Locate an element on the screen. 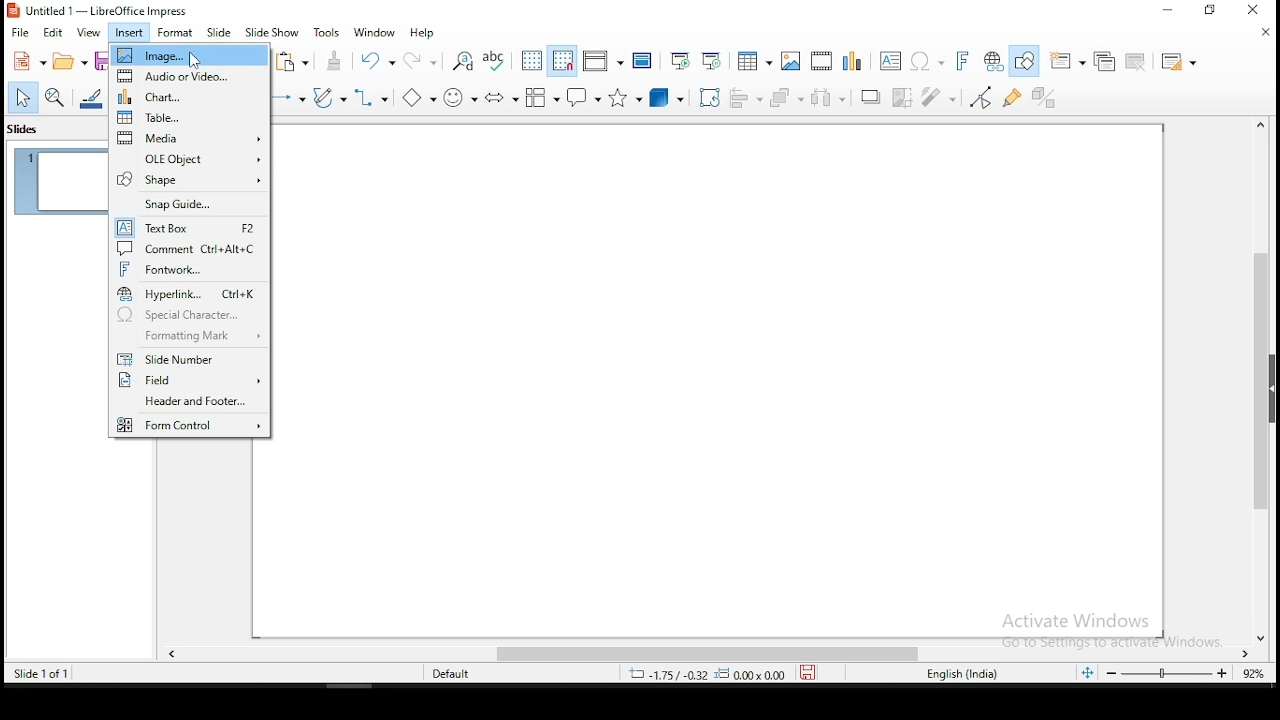 Image resolution: width=1280 pixels, height=720 pixels. comment is located at coordinates (190, 248).